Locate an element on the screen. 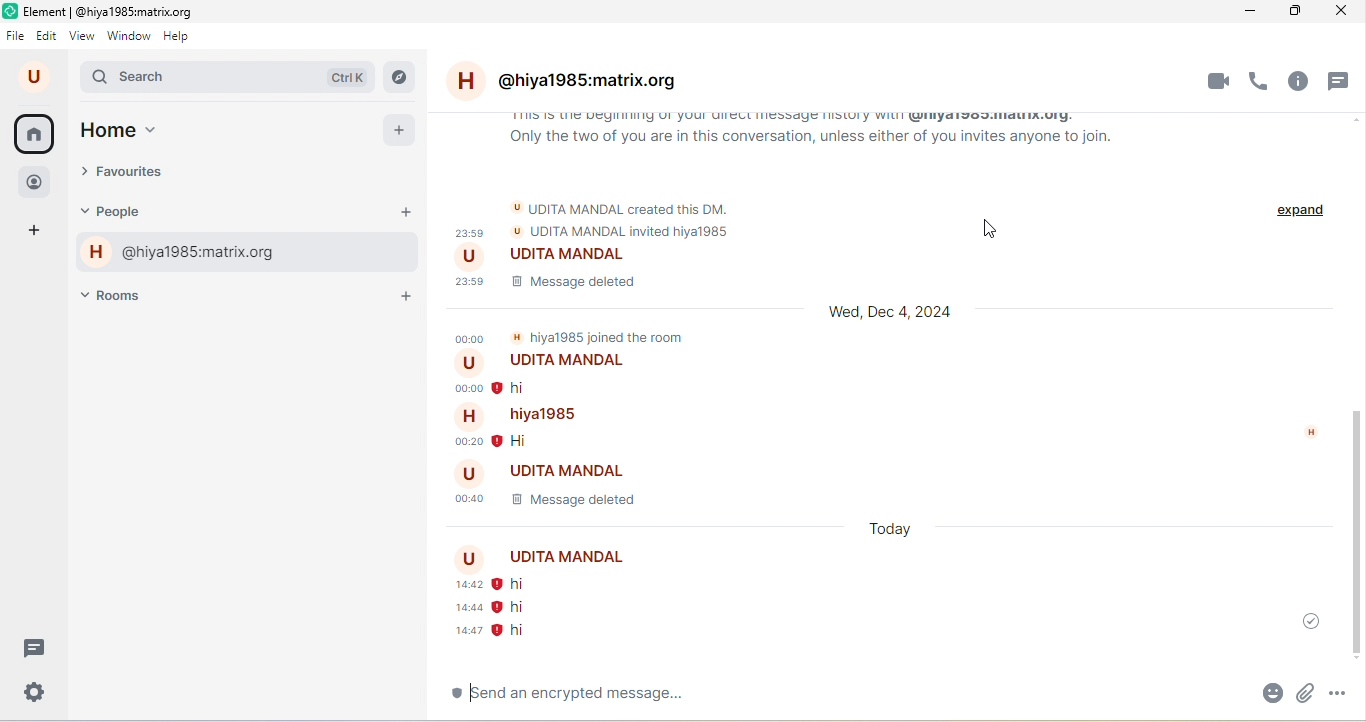 The image size is (1366, 722). threads is located at coordinates (1342, 82).